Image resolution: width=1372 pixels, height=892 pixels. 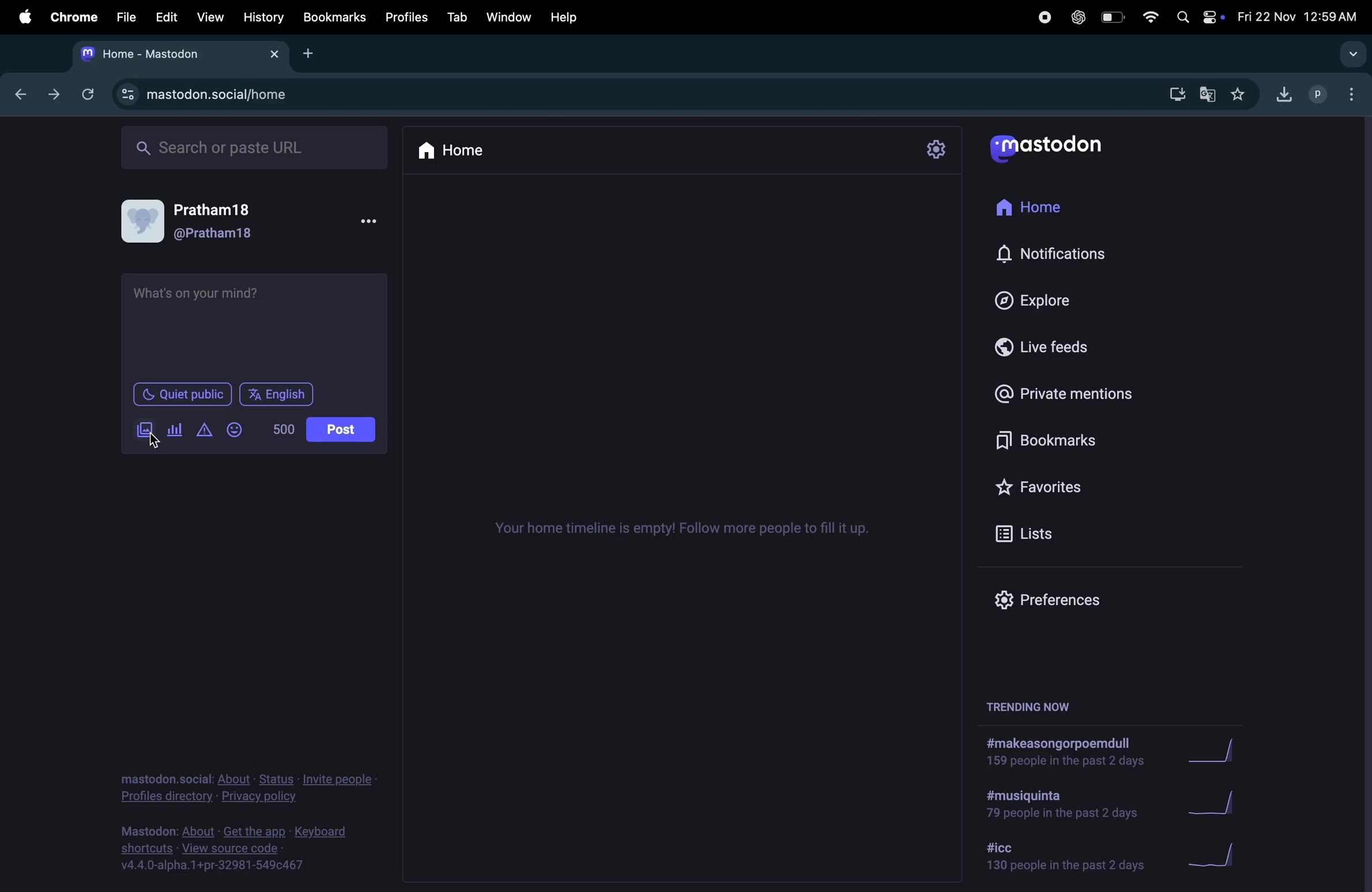 What do you see at coordinates (566, 18) in the screenshot?
I see `help` at bounding box center [566, 18].